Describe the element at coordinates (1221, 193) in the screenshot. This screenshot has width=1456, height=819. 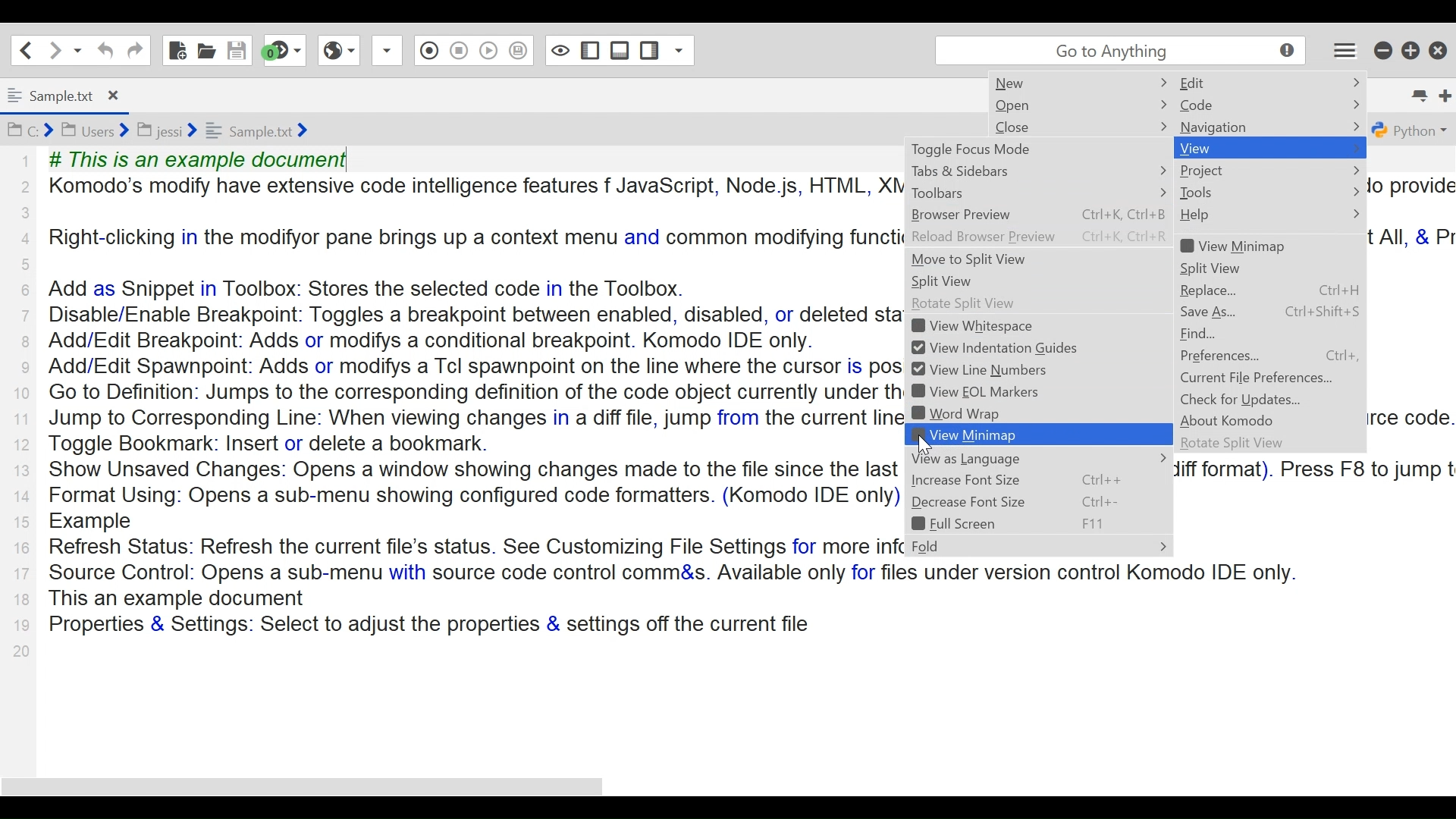
I see `Tools` at that location.